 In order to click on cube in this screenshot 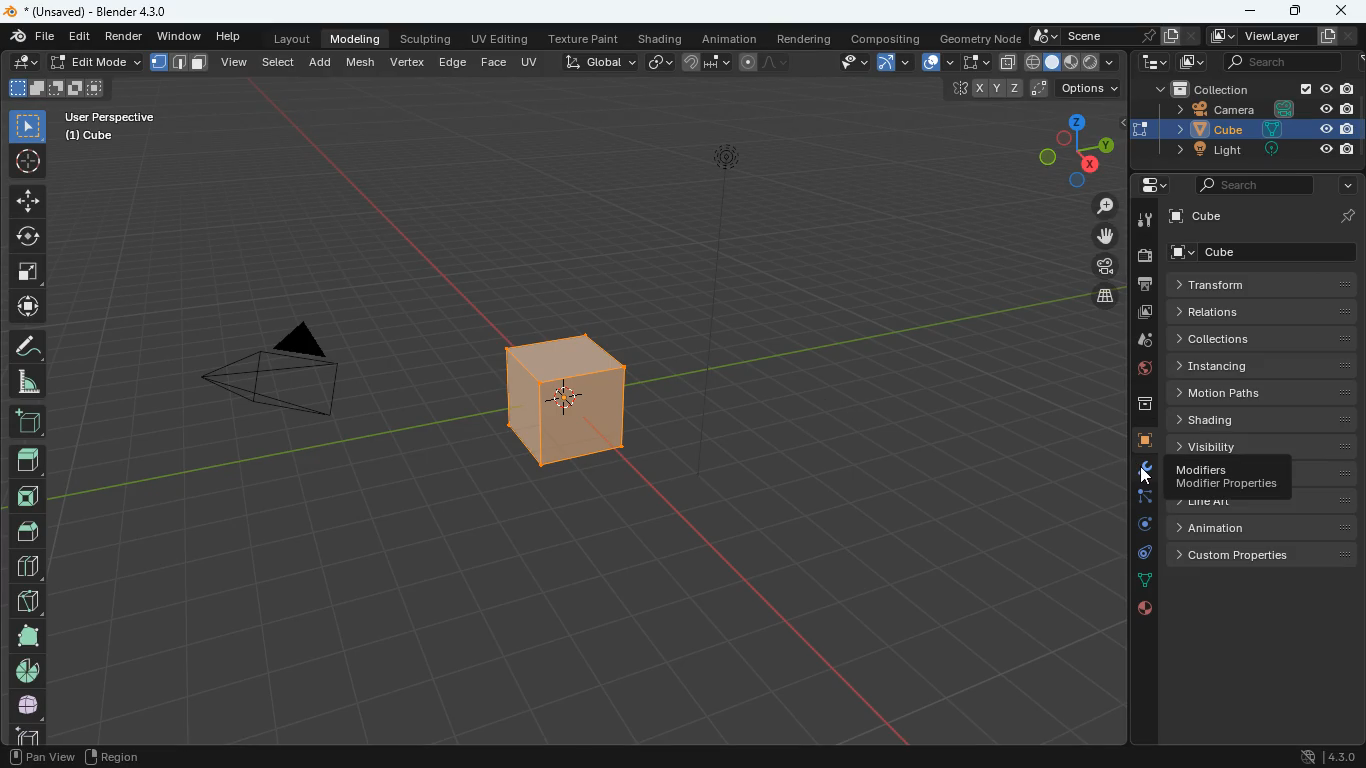, I will do `click(1249, 129)`.